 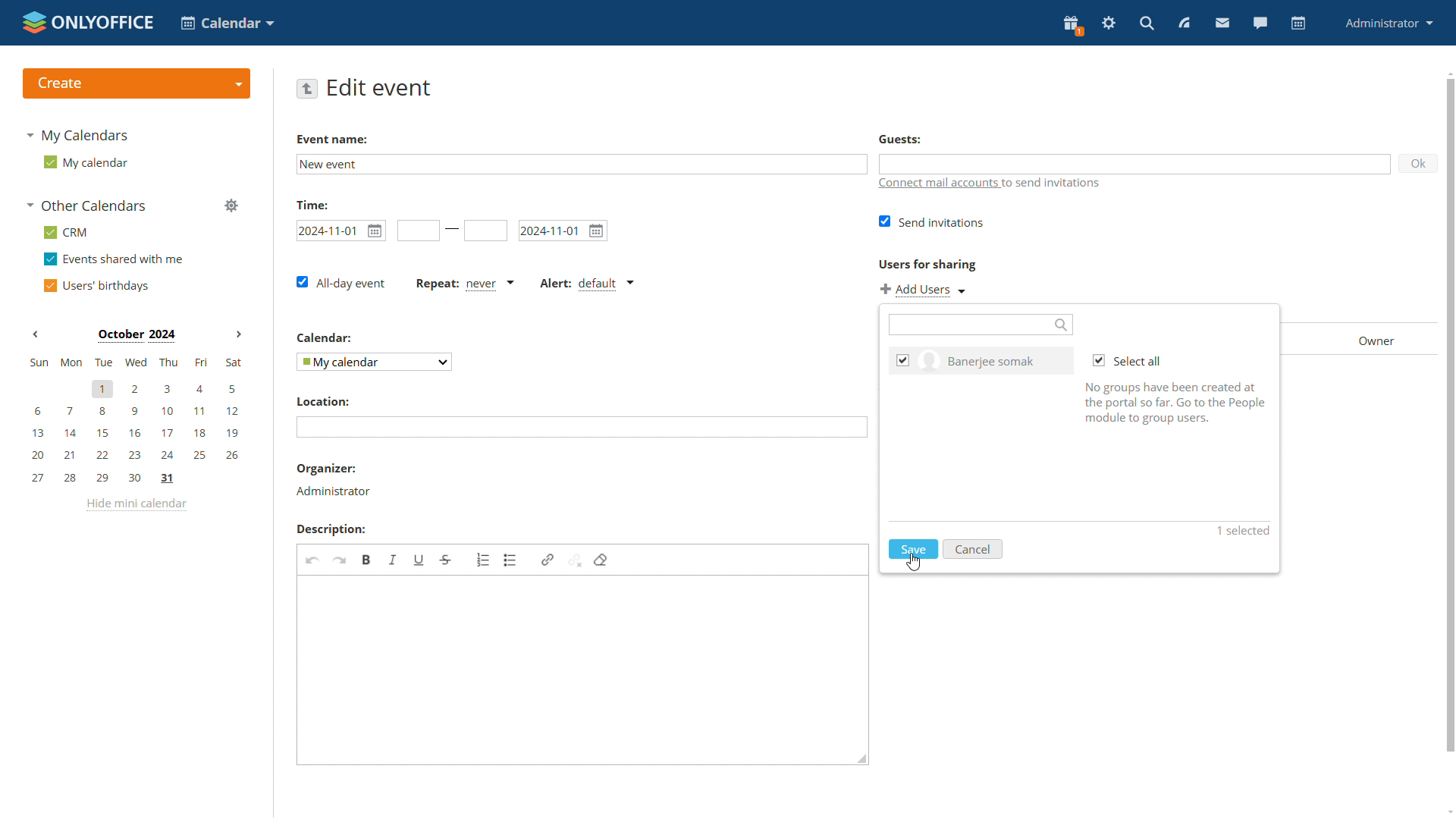 I want to click on Next month, so click(x=236, y=335).